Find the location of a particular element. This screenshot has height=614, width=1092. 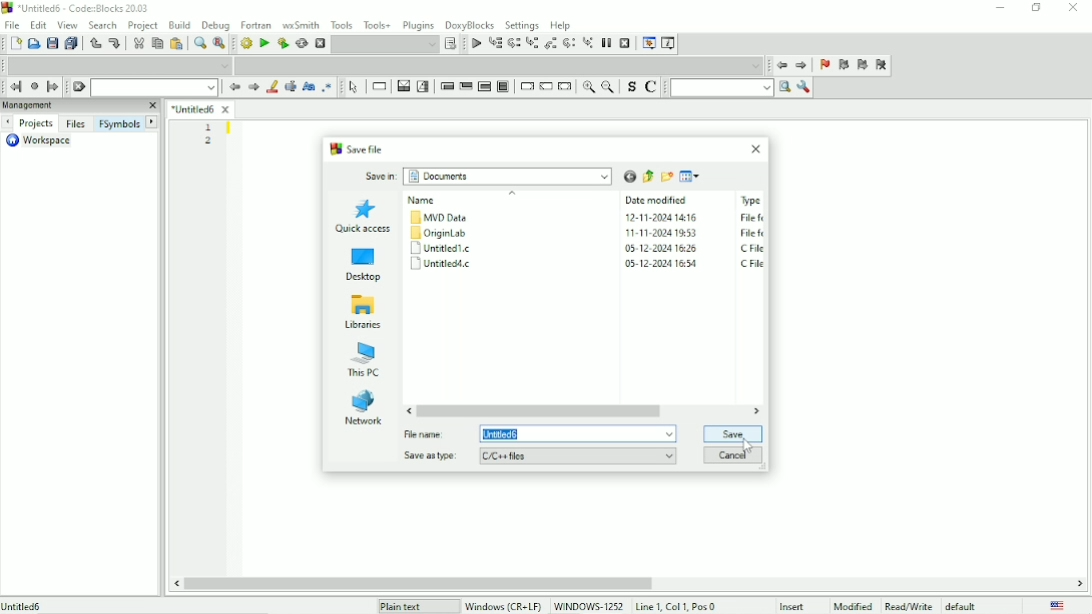

Settings is located at coordinates (521, 25).